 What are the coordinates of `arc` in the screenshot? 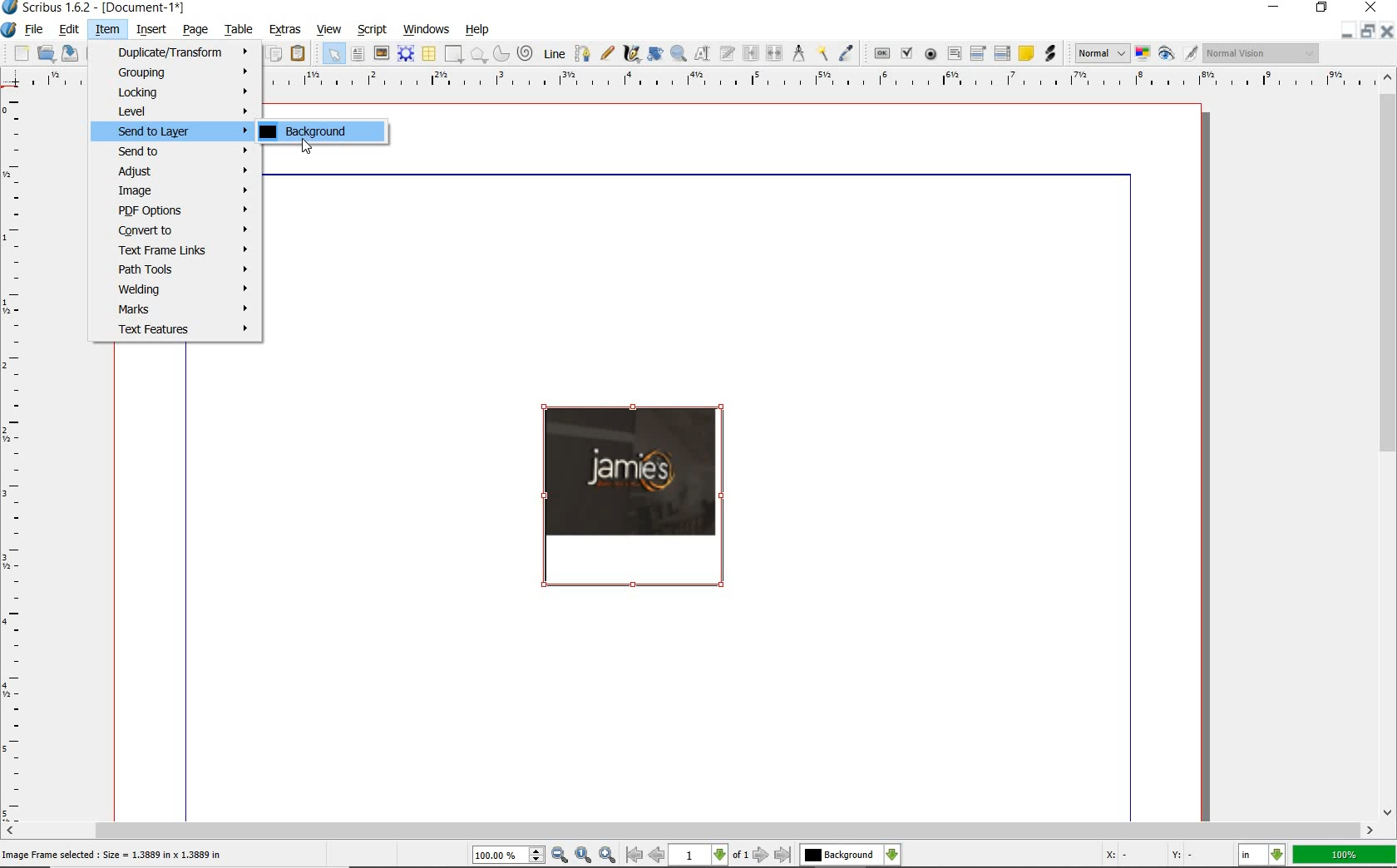 It's located at (501, 54).